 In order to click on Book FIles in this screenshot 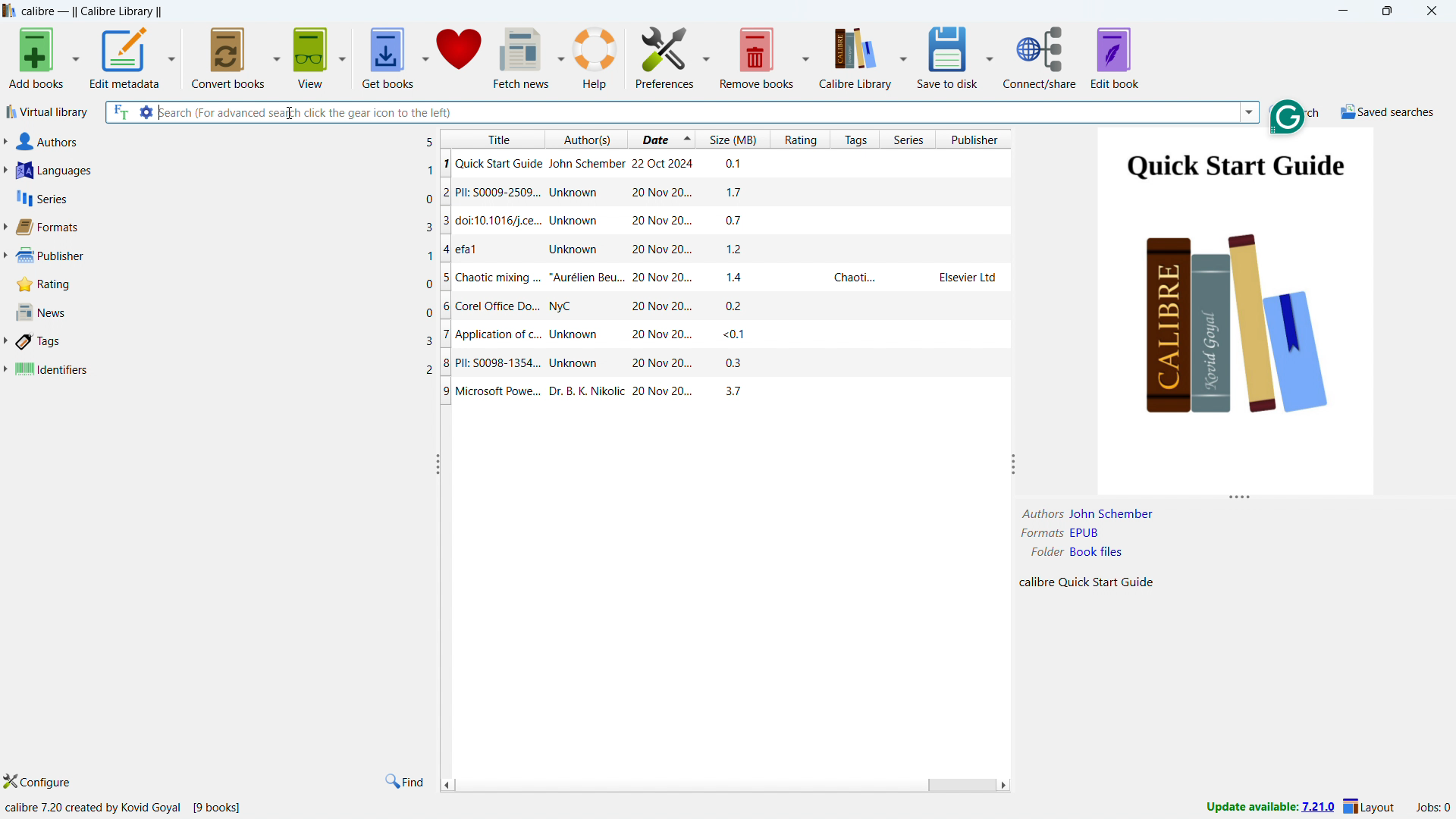, I will do `click(1103, 554)`.